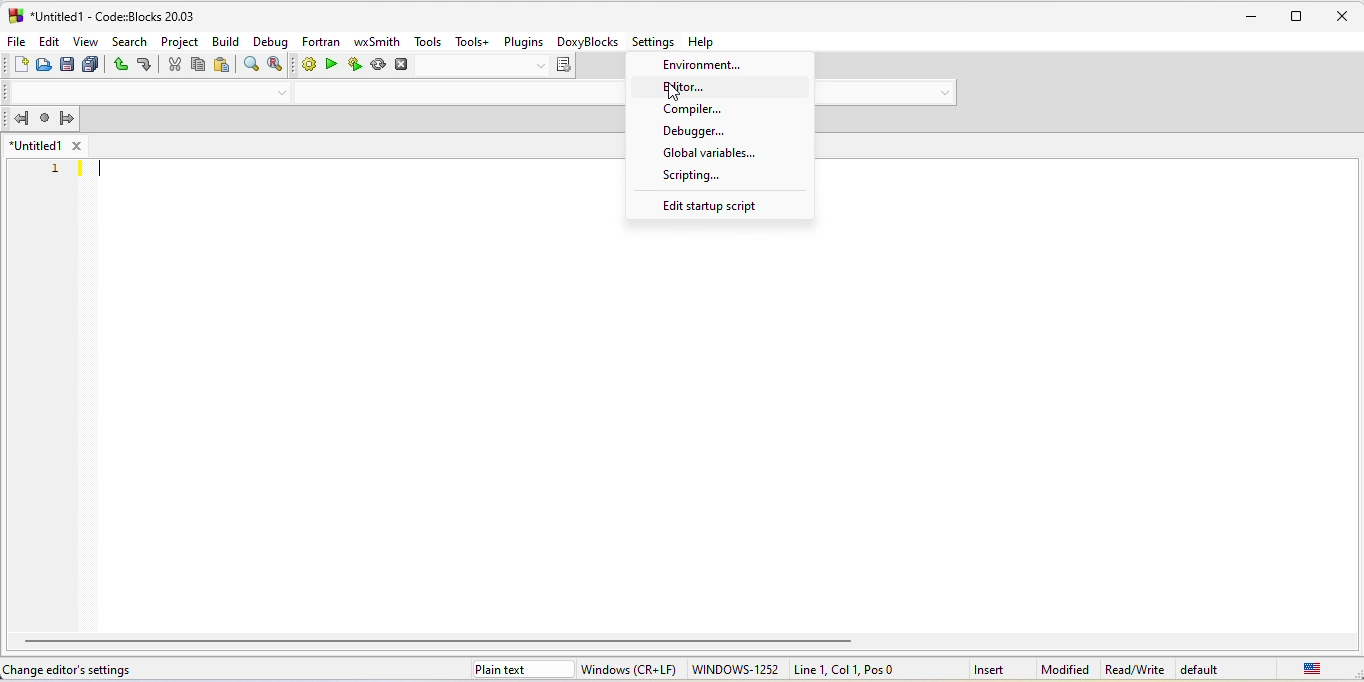 The height and width of the screenshot is (682, 1364). I want to click on search, so click(130, 41).